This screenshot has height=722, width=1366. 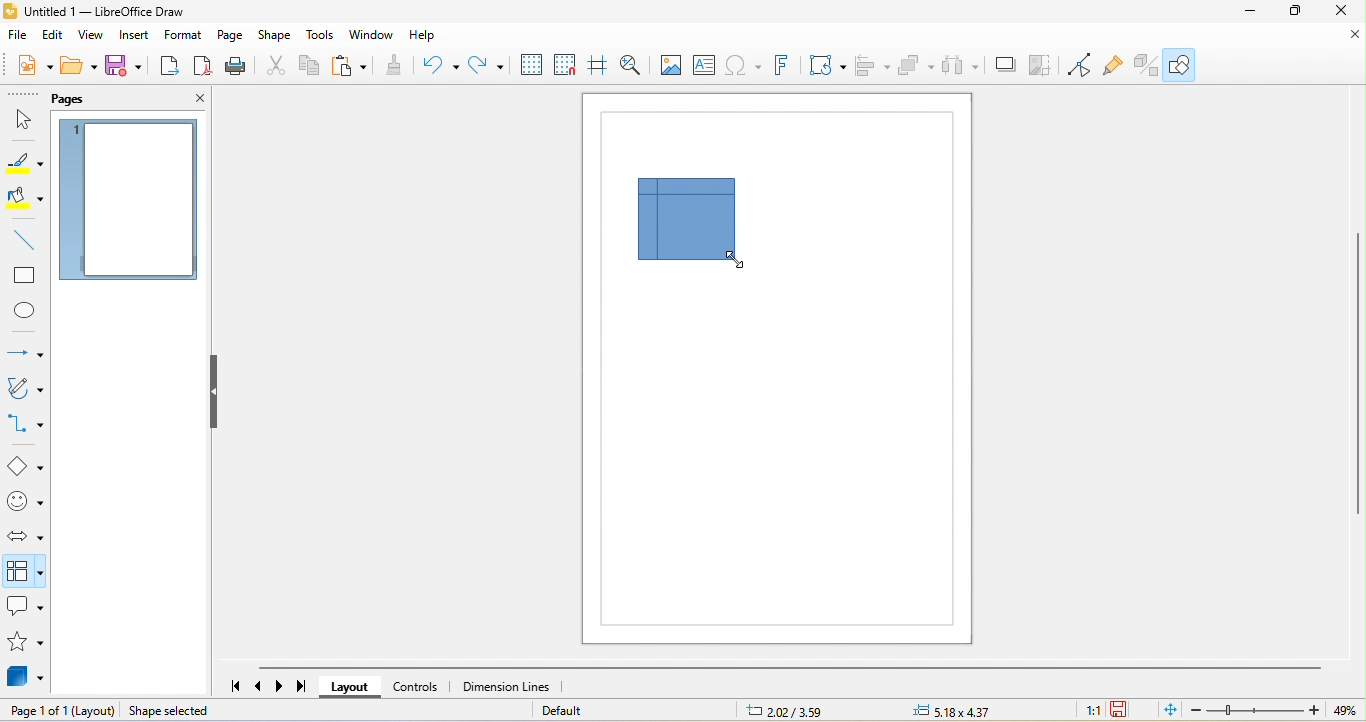 What do you see at coordinates (128, 202) in the screenshot?
I see `page 1` at bounding box center [128, 202].